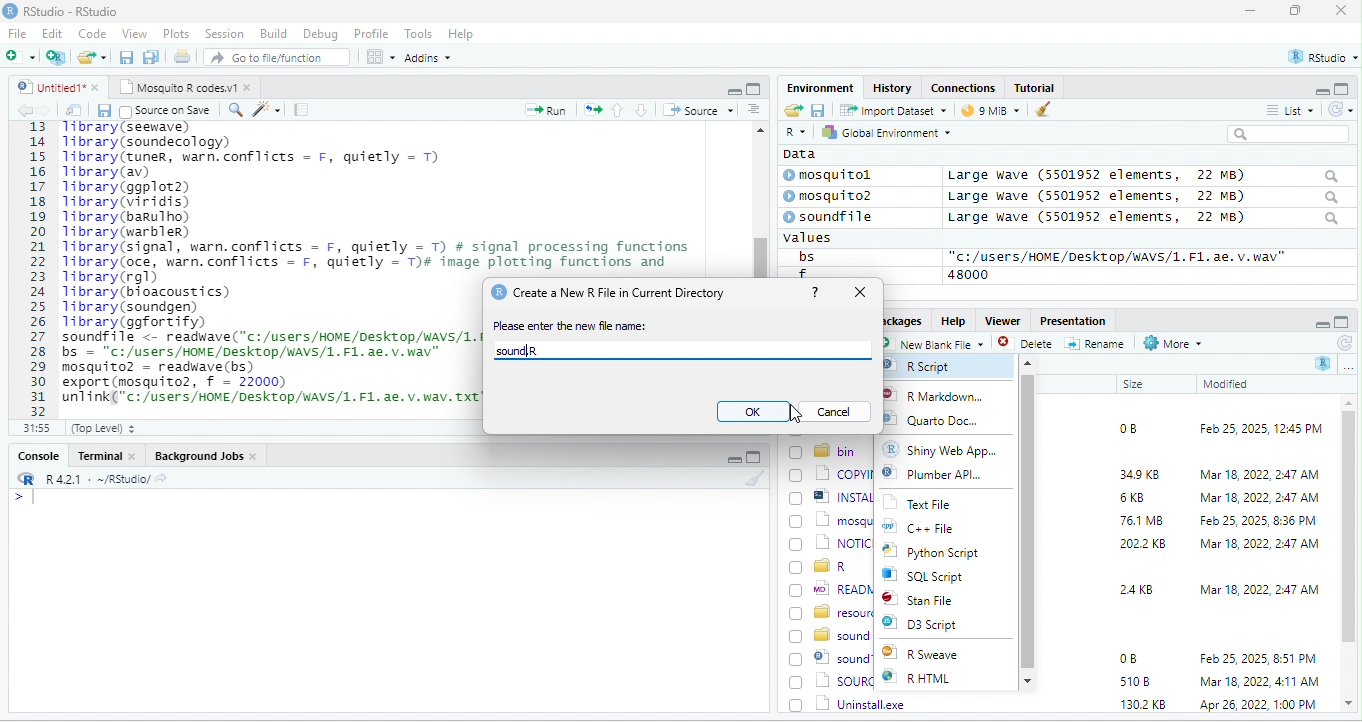 The width and height of the screenshot is (1362, 722). I want to click on 6KB, so click(1133, 498).